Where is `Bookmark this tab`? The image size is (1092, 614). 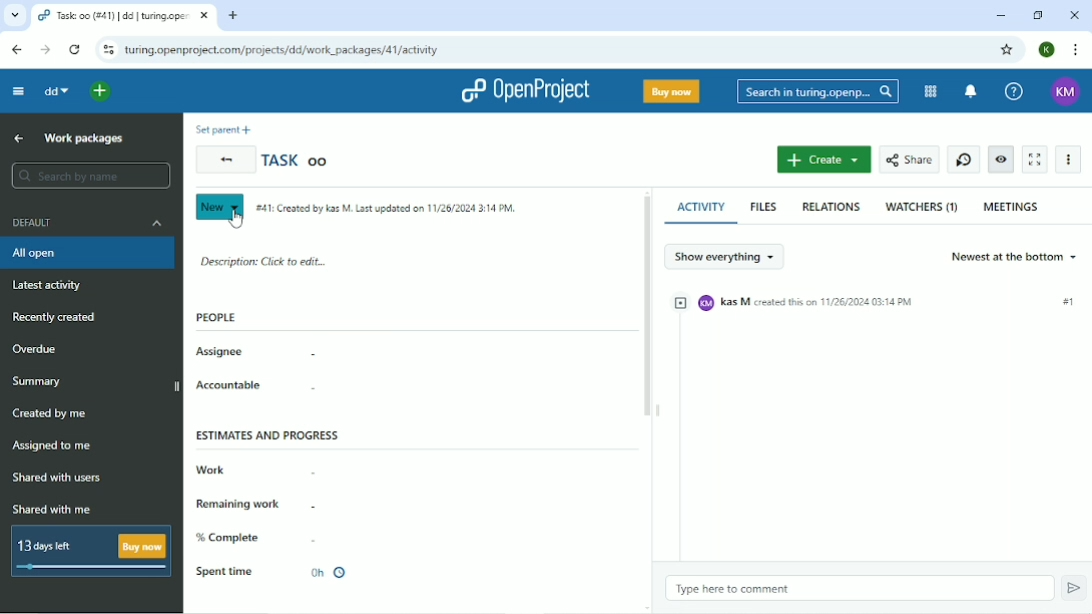
Bookmark this tab is located at coordinates (1008, 49).